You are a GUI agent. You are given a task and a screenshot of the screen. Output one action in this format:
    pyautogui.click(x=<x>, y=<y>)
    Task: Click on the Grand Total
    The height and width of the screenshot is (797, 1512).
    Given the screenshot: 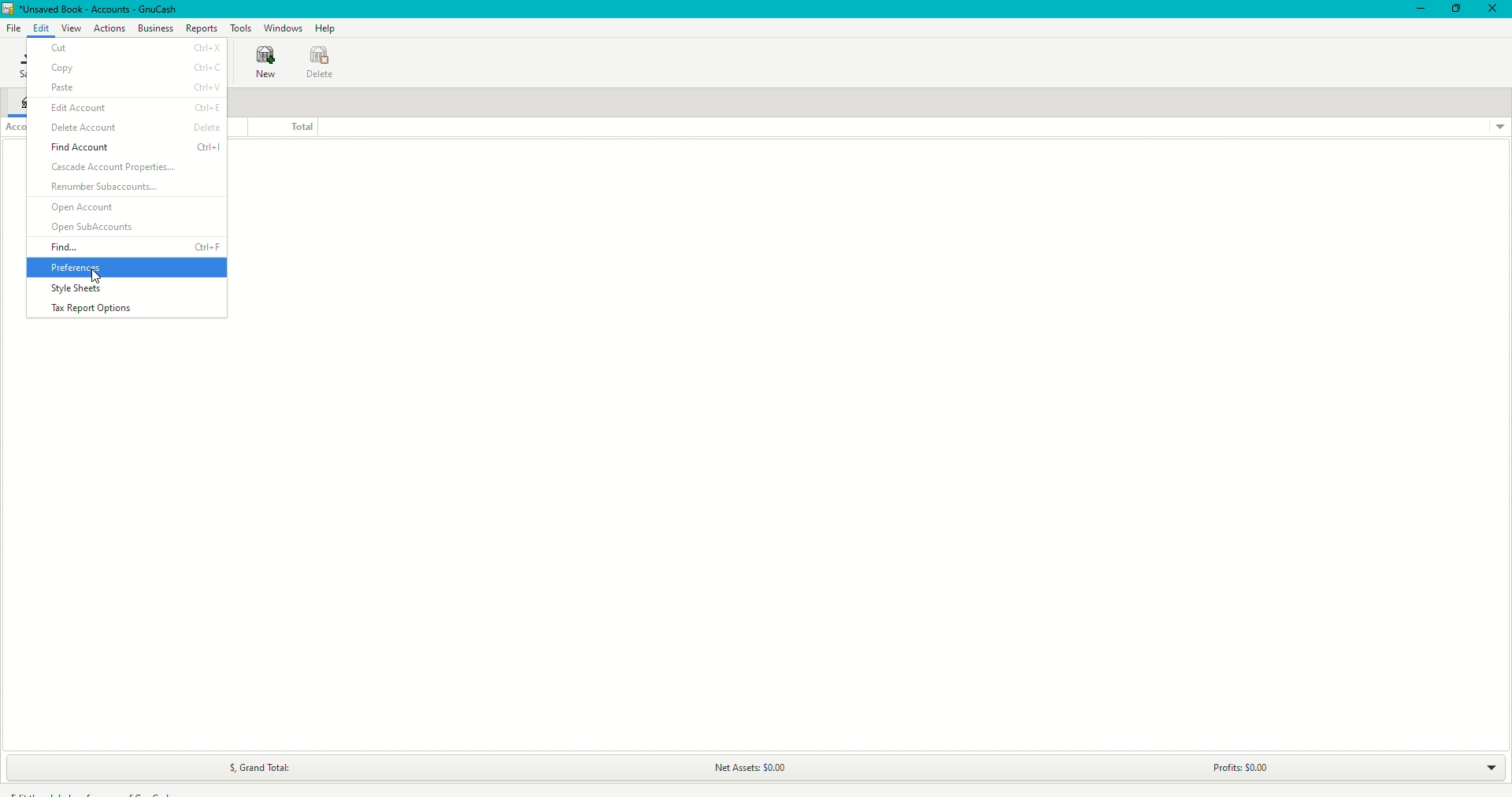 What is the action you would take?
    pyautogui.click(x=253, y=768)
    